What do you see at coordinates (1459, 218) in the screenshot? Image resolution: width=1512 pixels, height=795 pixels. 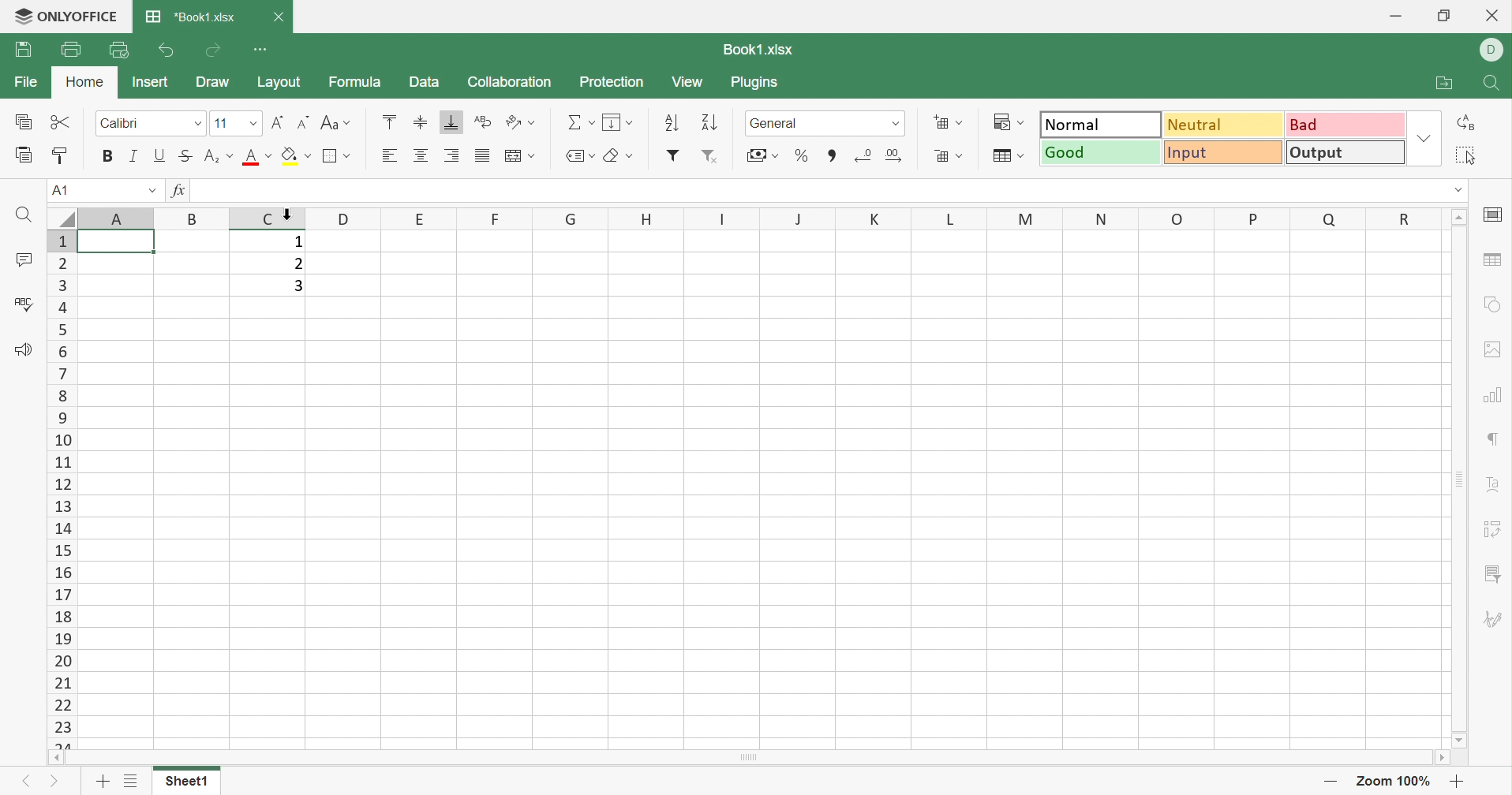 I see `Scroll Up` at bounding box center [1459, 218].